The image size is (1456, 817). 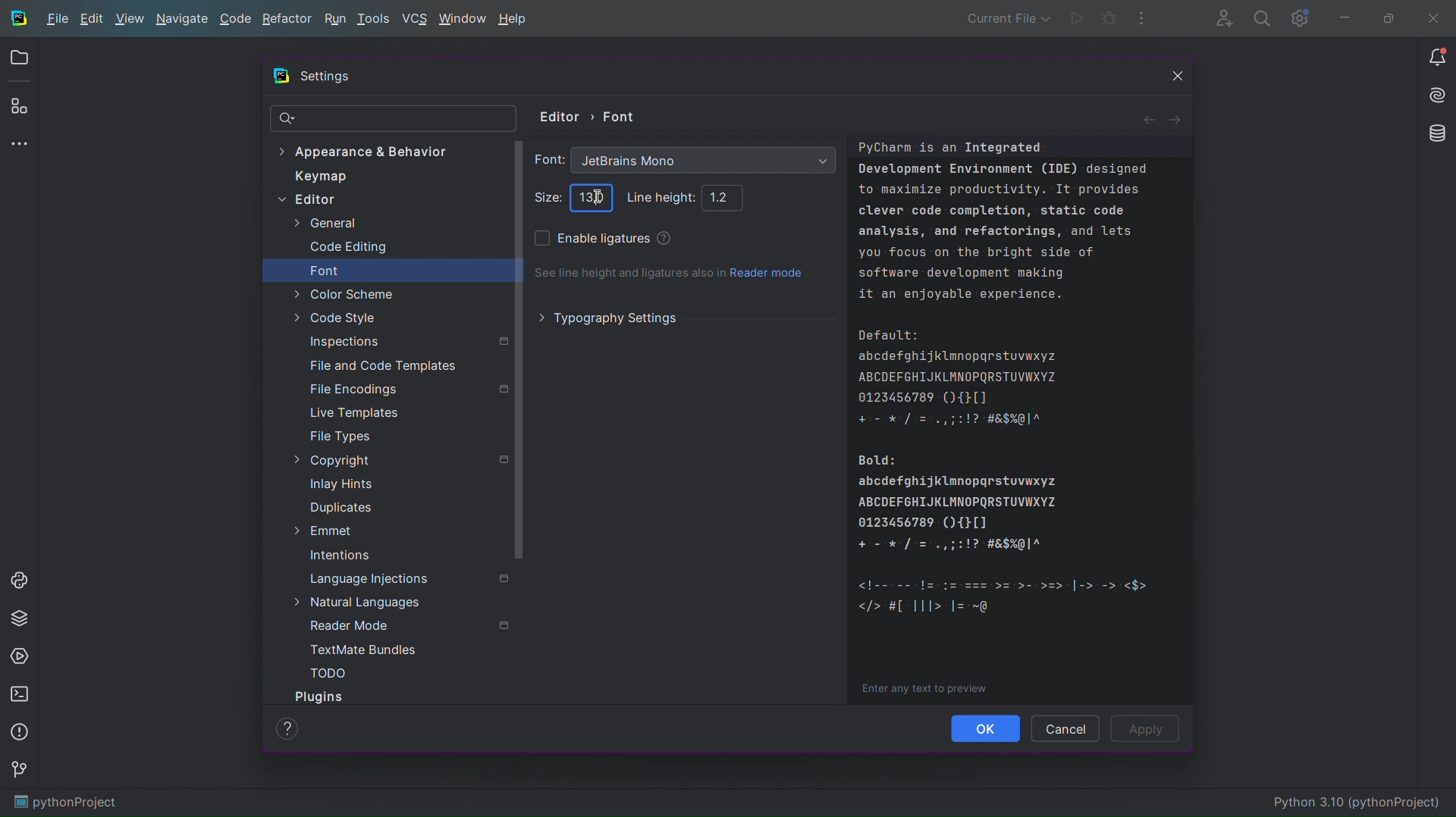 What do you see at coordinates (22, 695) in the screenshot?
I see `Terminal` at bounding box center [22, 695].